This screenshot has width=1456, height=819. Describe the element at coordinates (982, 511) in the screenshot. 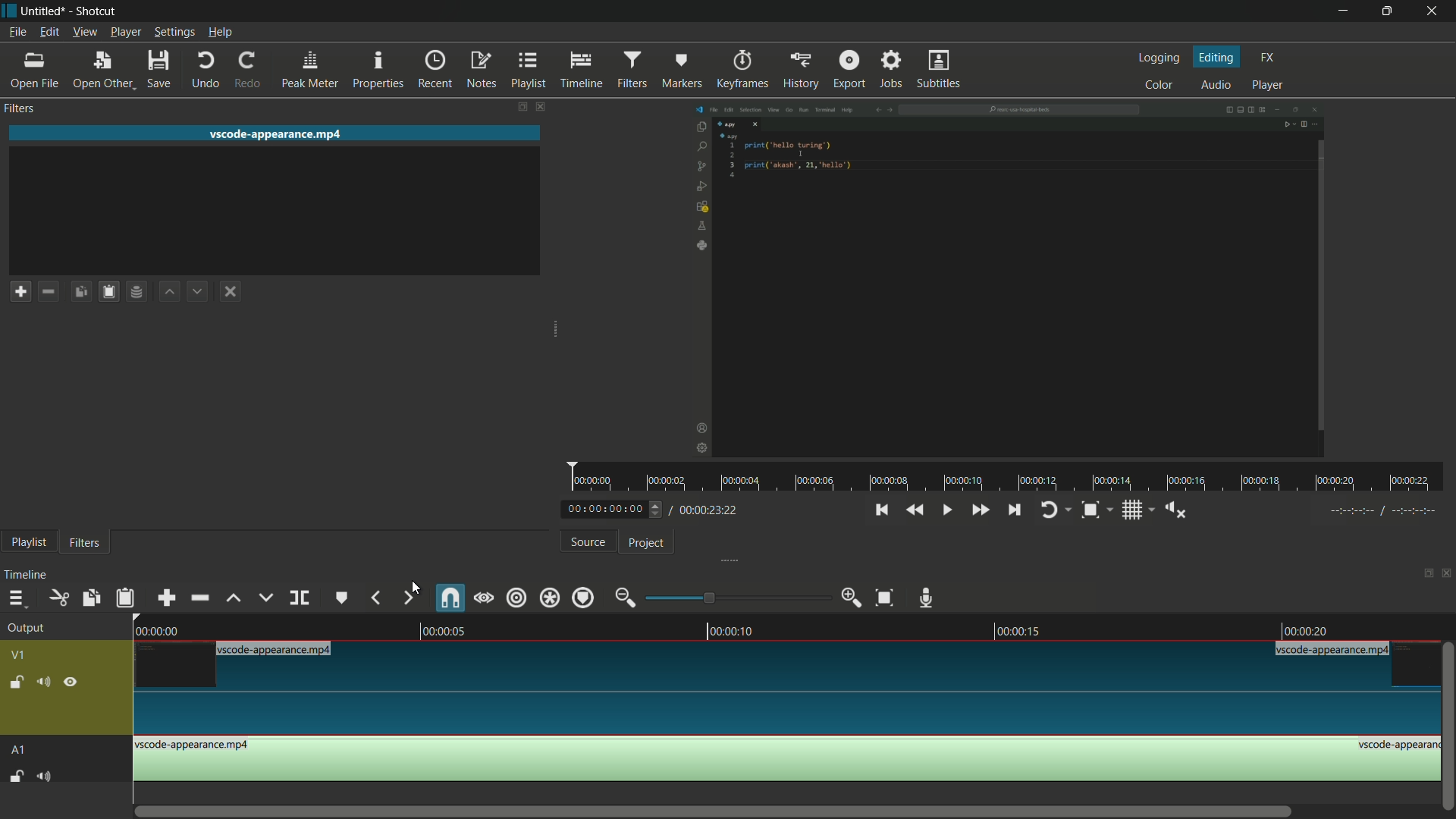

I see `quickly play forward` at that location.